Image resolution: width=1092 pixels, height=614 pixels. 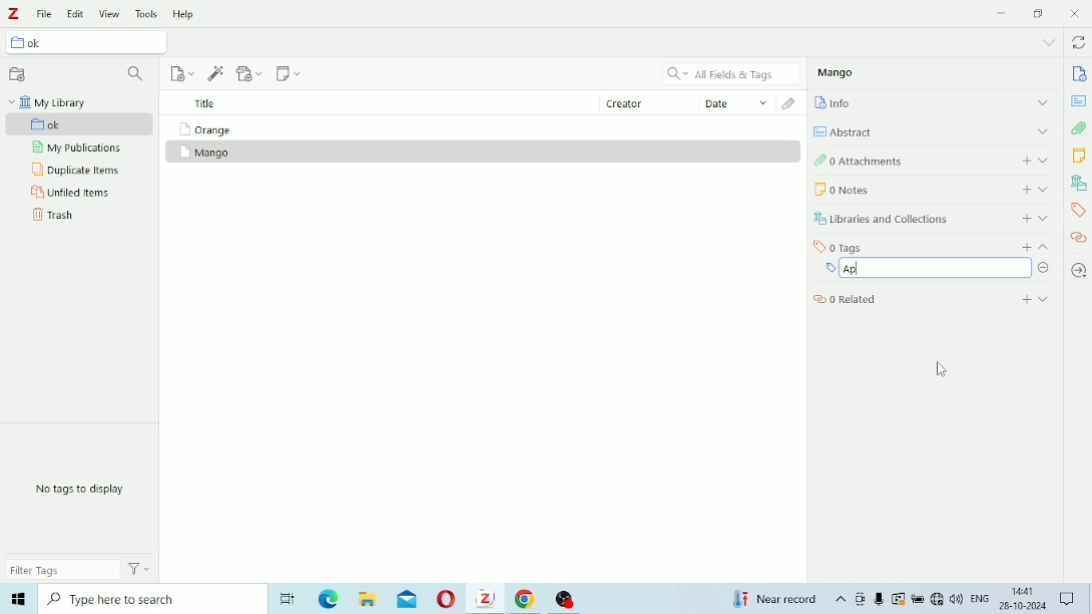 I want to click on Filter Collections, so click(x=138, y=75).